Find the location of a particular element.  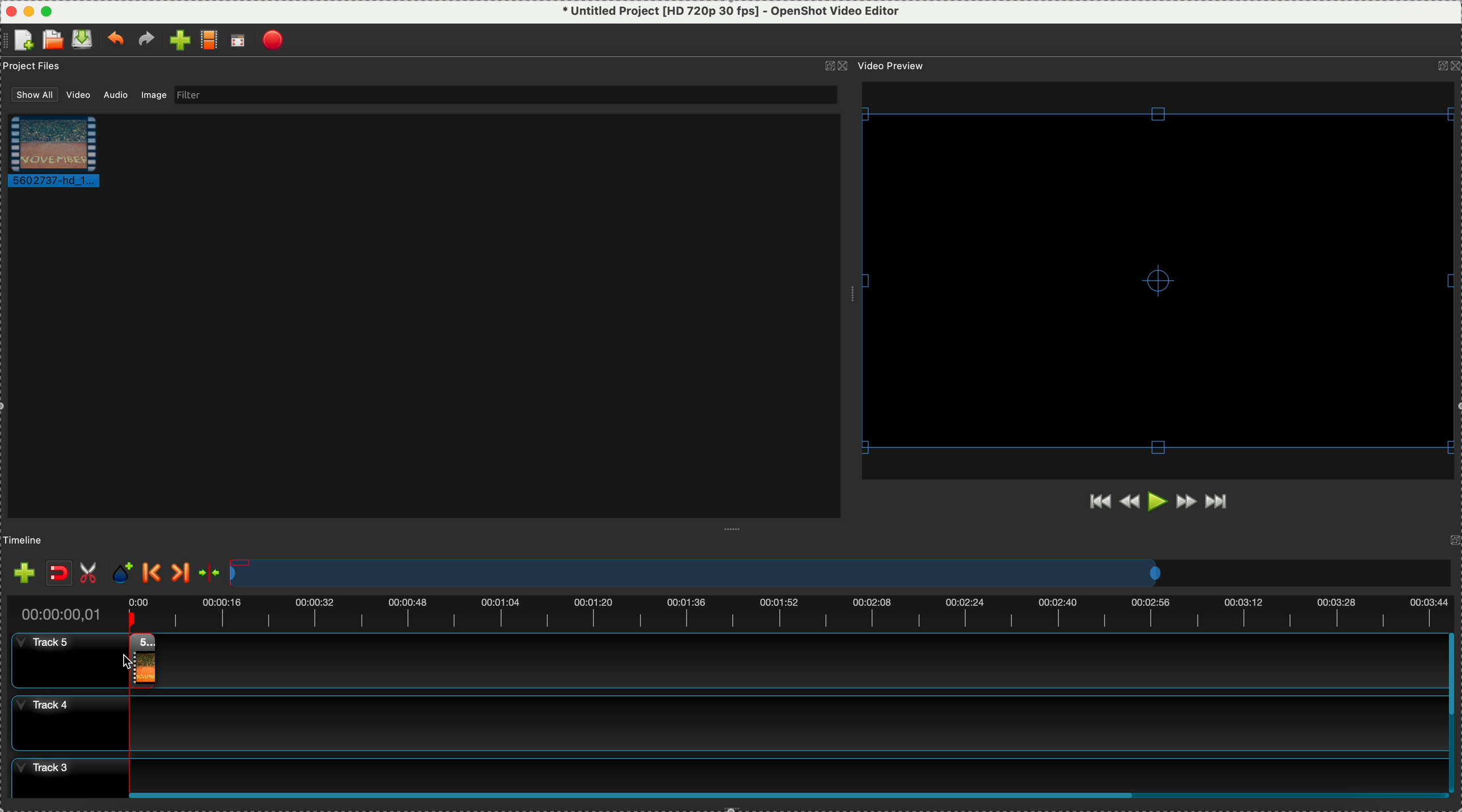

timeline duration is located at coordinates (728, 610).